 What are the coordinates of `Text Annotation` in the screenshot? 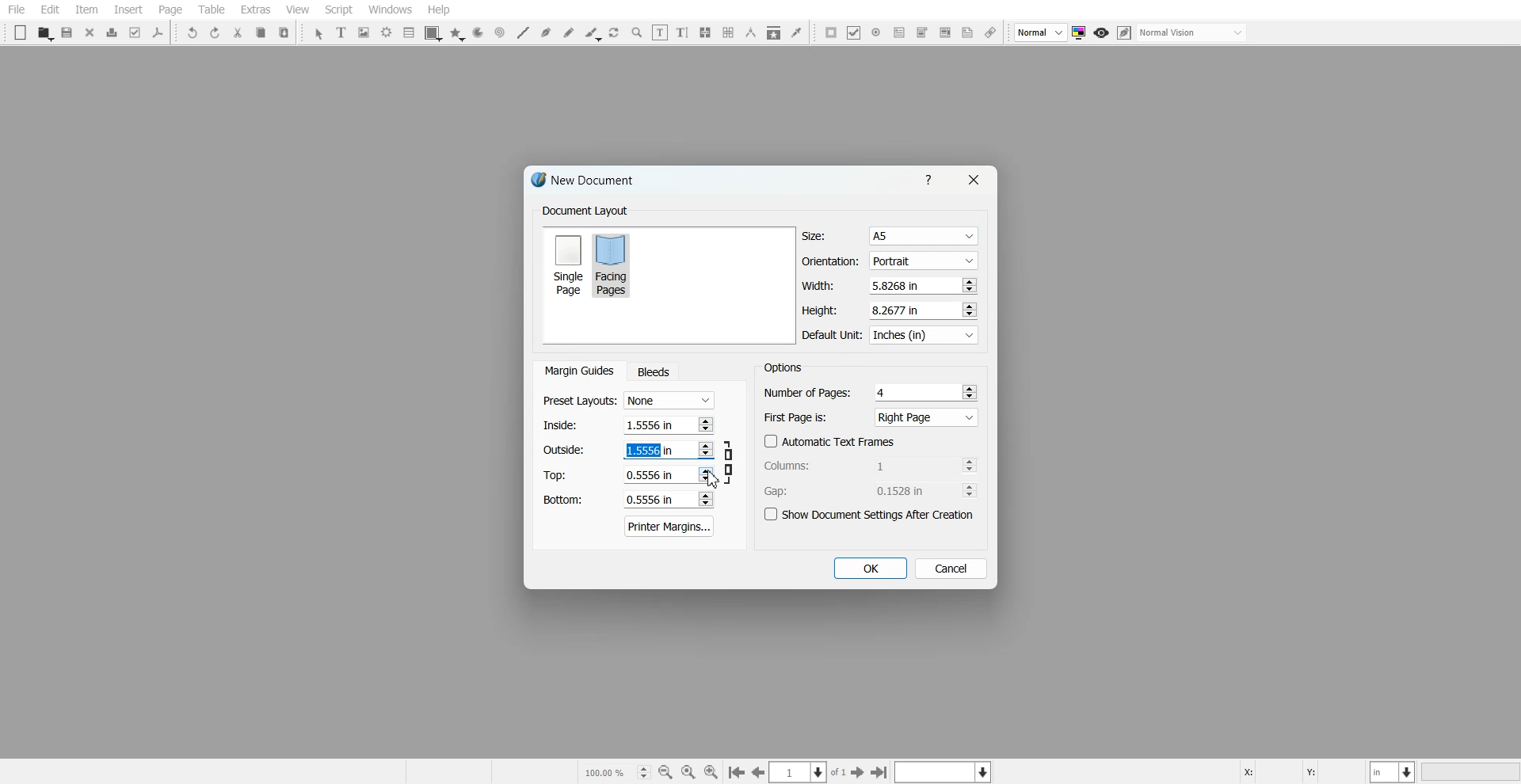 It's located at (967, 33).